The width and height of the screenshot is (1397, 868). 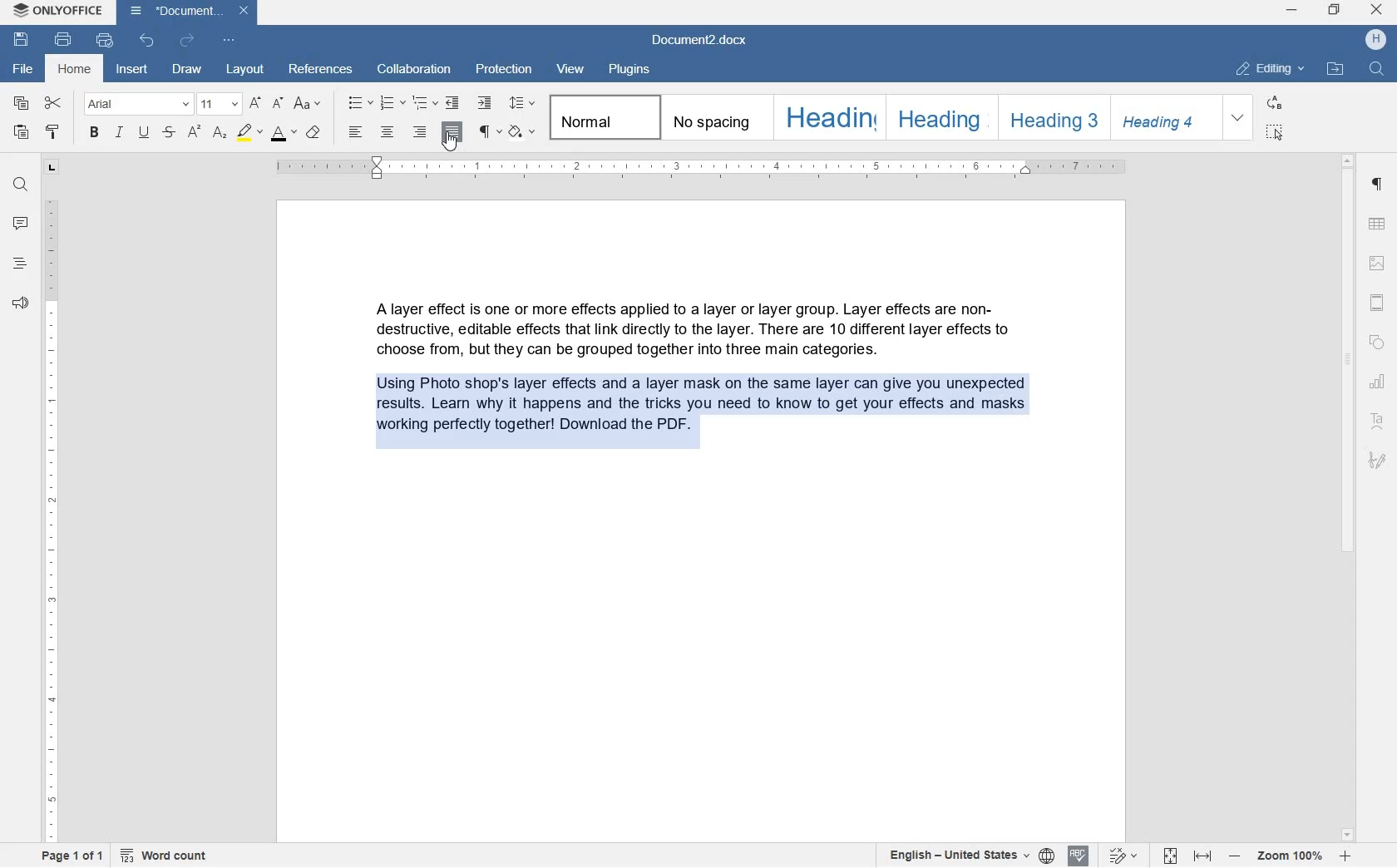 I want to click on FIND, so click(x=1377, y=70).